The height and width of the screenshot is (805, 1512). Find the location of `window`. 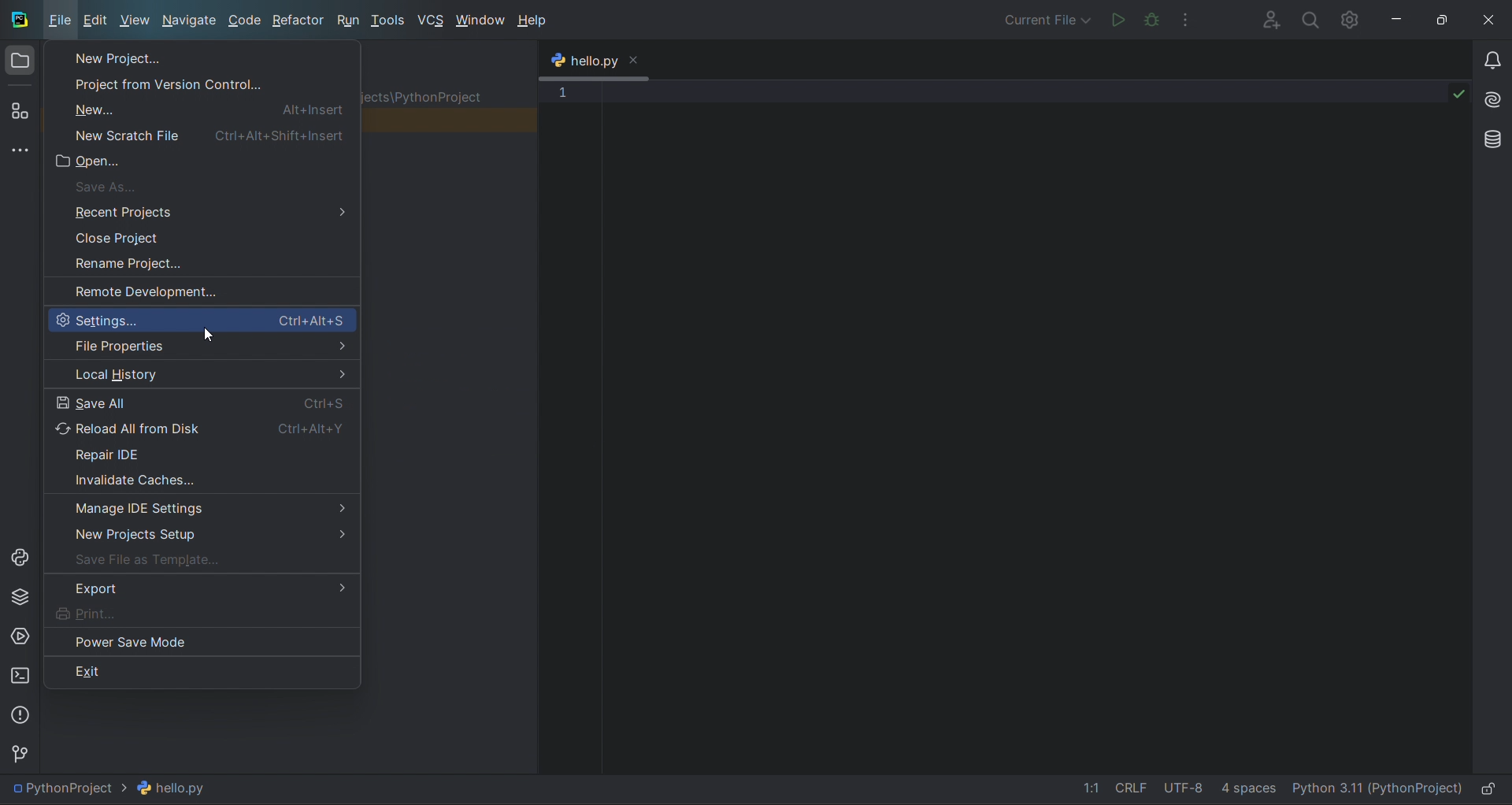

window is located at coordinates (477, 18).